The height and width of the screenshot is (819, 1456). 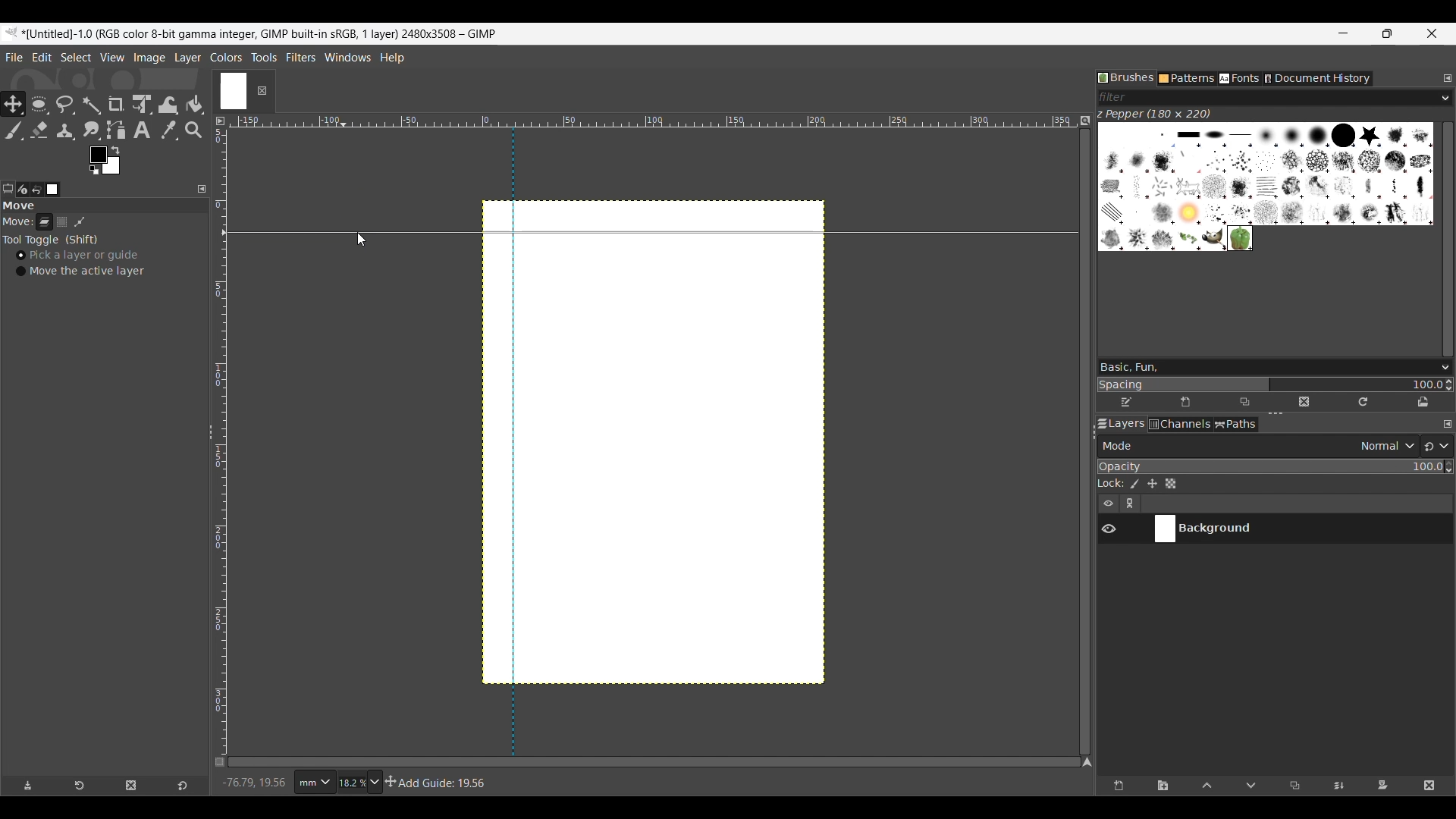 What do you see at coordinates (17, 221) in the screenshot?
I see `Indicates move tools` at bounding box center [17, 221].